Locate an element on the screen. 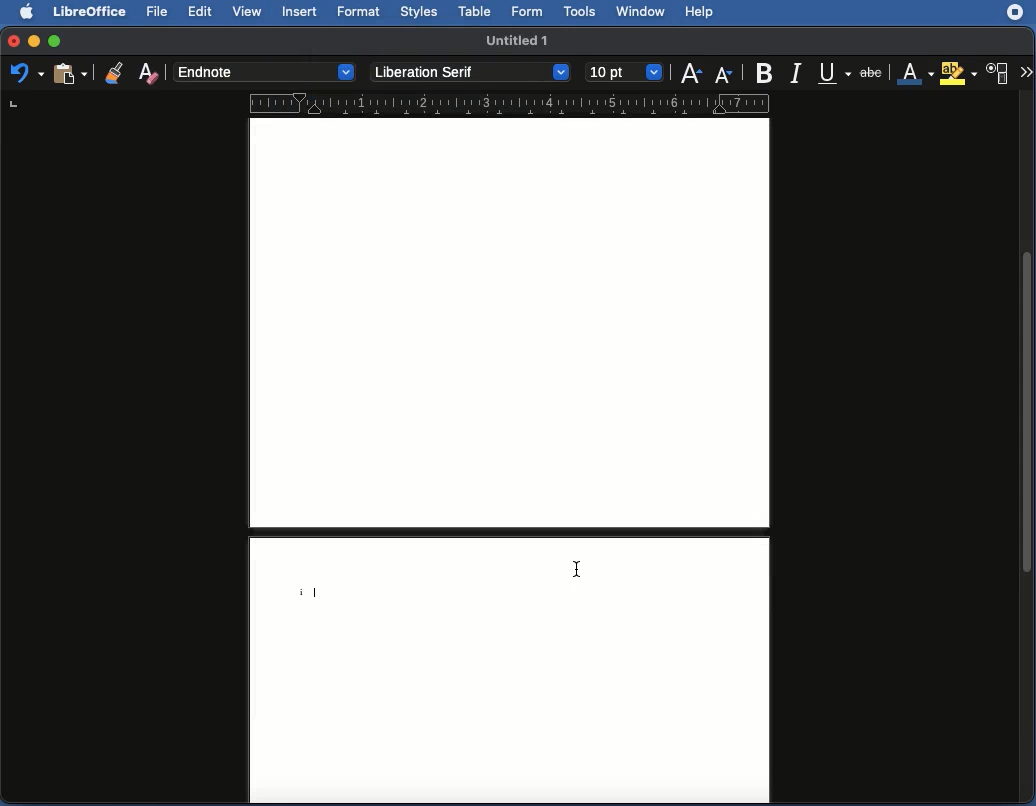 This screenshot has width=1036, height=806. Scroll is located at coordinates (1028, 449).